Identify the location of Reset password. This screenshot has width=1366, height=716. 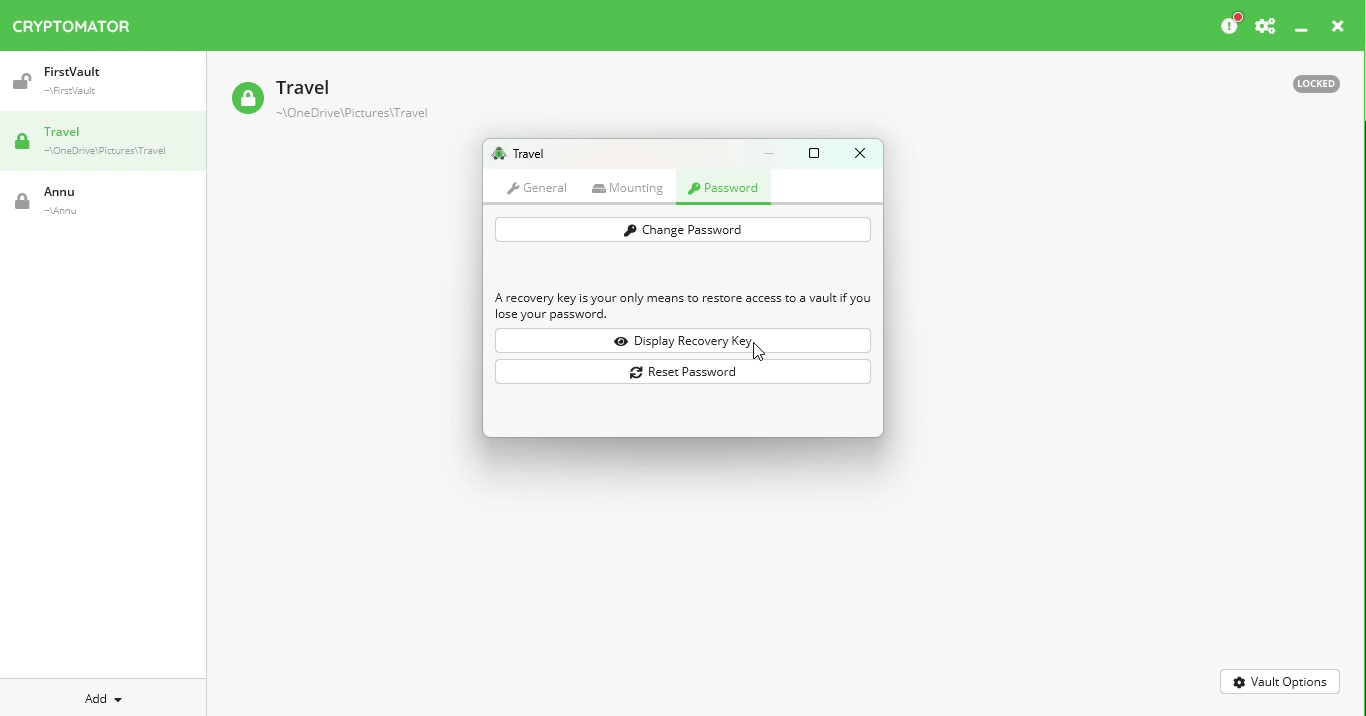
(685, 371).